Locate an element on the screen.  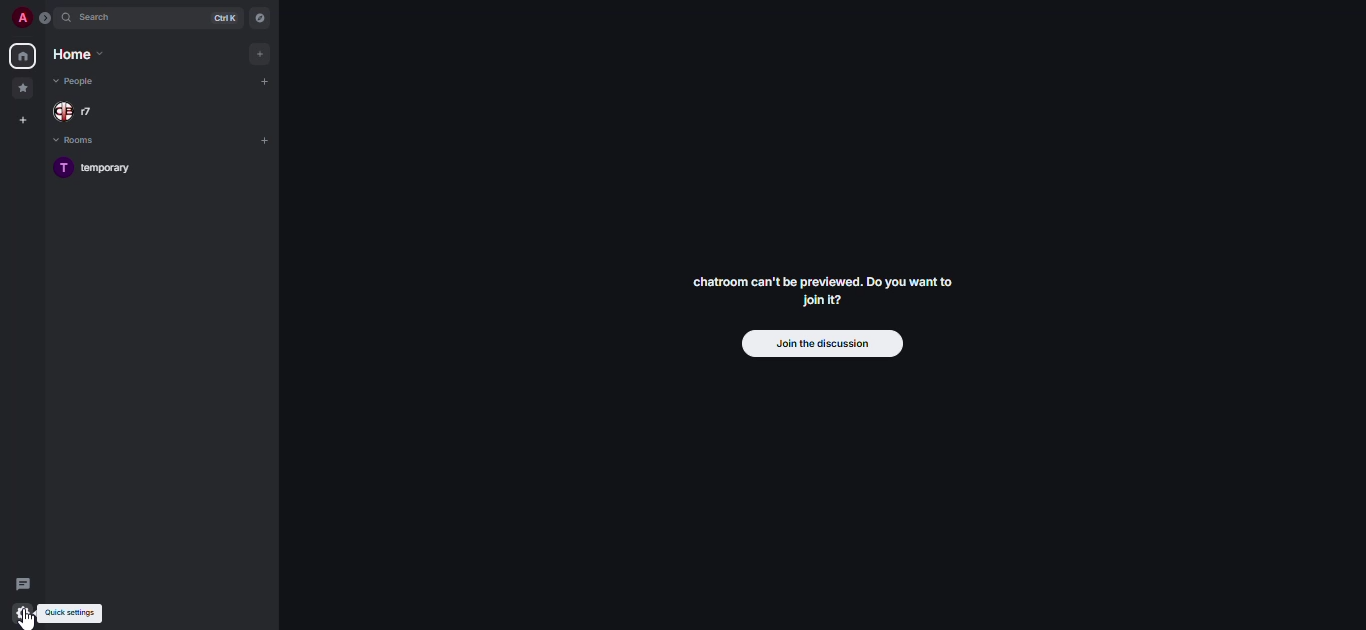
ctrl K is located at coordinates (220, 19).